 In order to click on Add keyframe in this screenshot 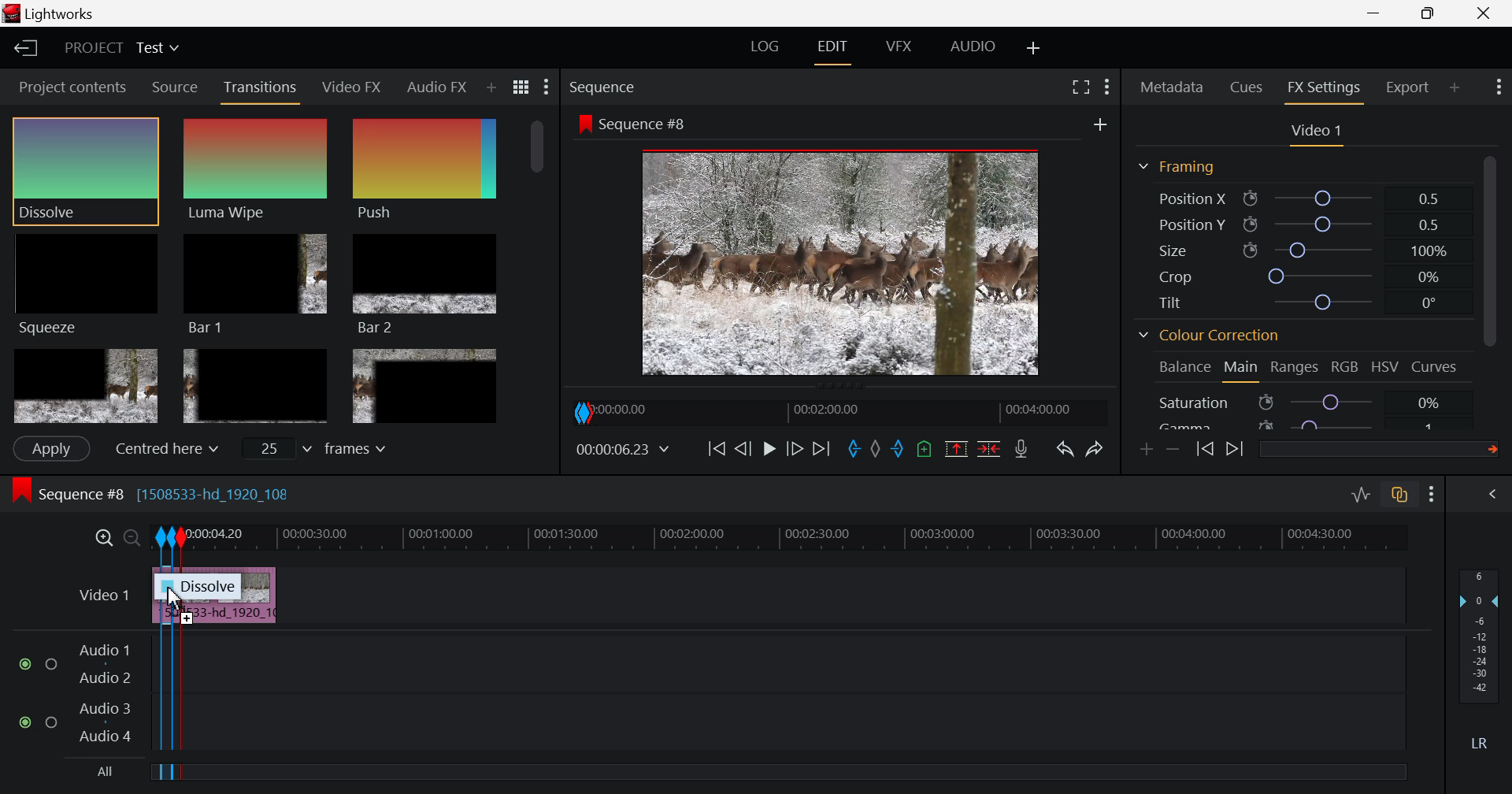, I will do `click(1148, 449)`.